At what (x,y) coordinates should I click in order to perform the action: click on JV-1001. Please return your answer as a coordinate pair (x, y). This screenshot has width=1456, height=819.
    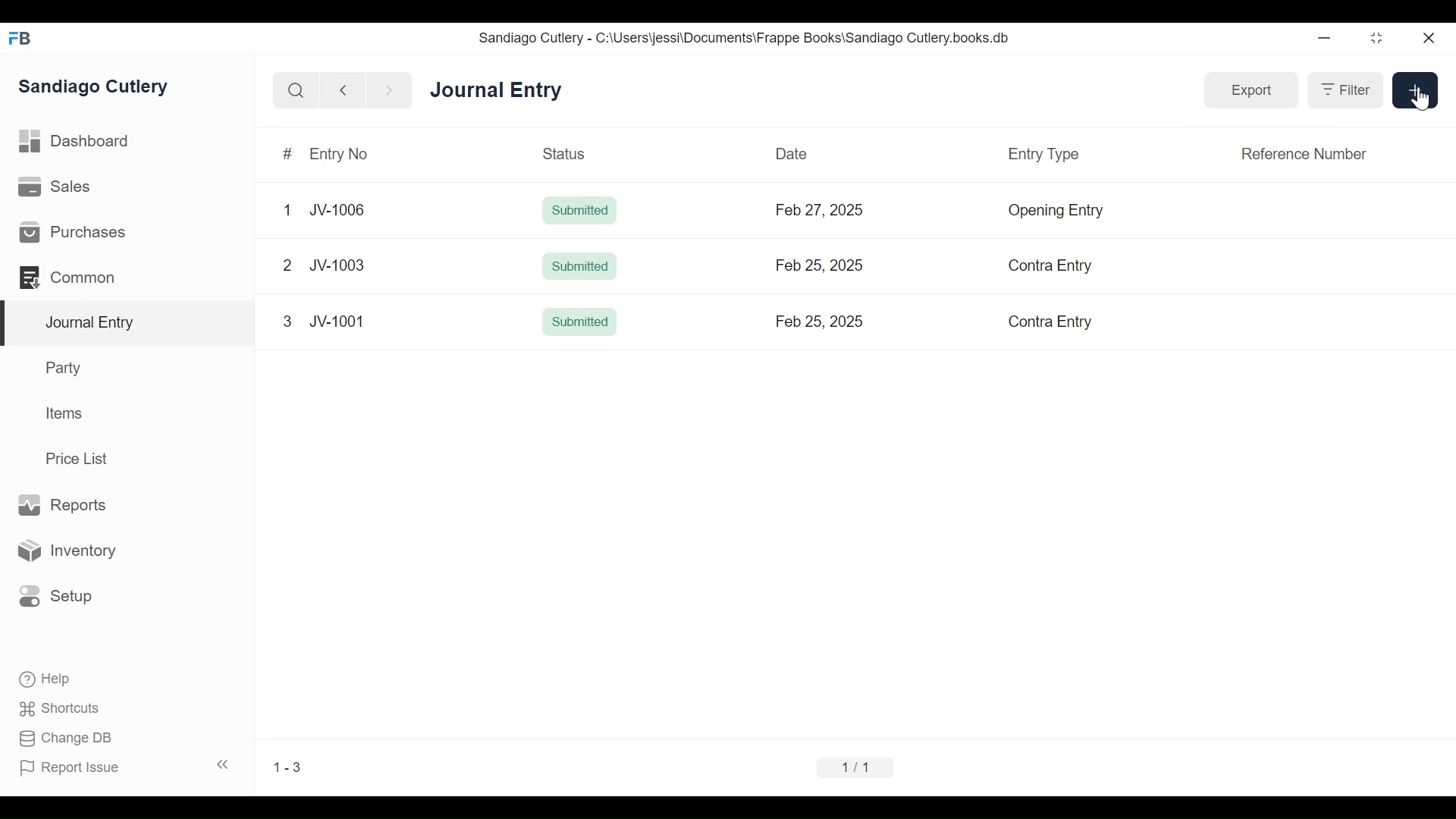
    Looking at the image, I should click on (339, 322).